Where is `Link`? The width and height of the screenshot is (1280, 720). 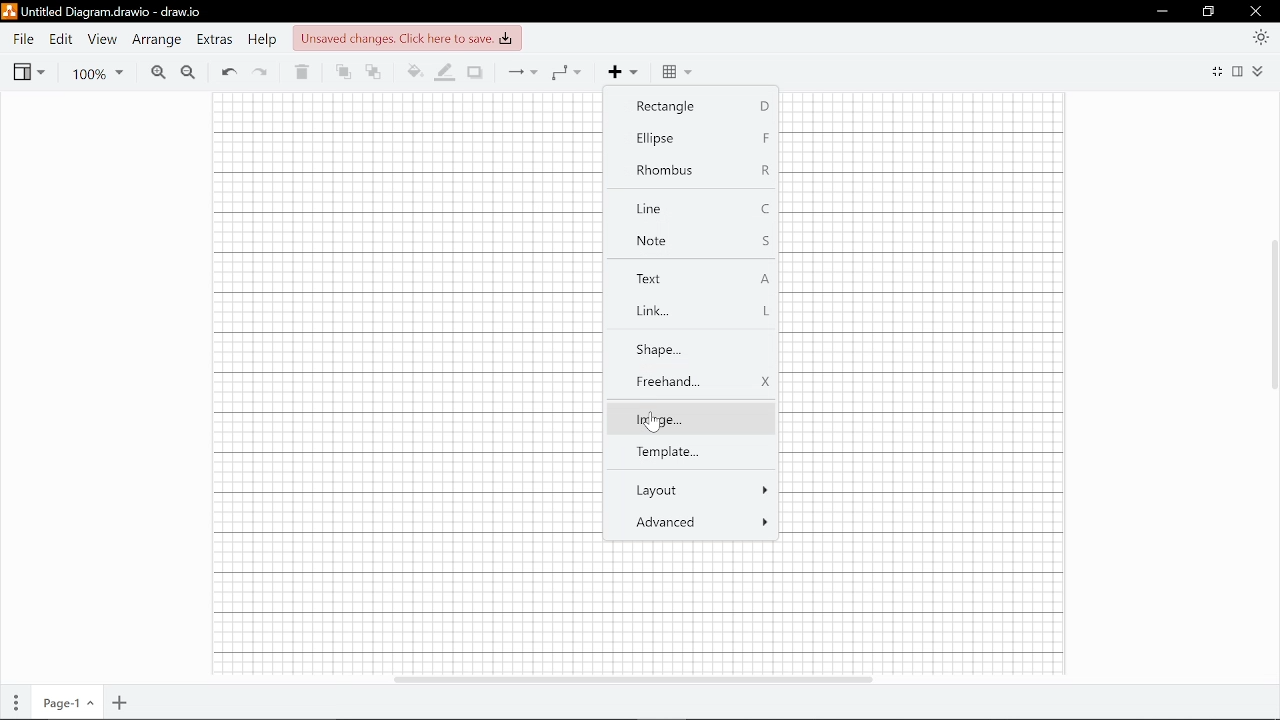
Link is located at coordinates (693, 312).